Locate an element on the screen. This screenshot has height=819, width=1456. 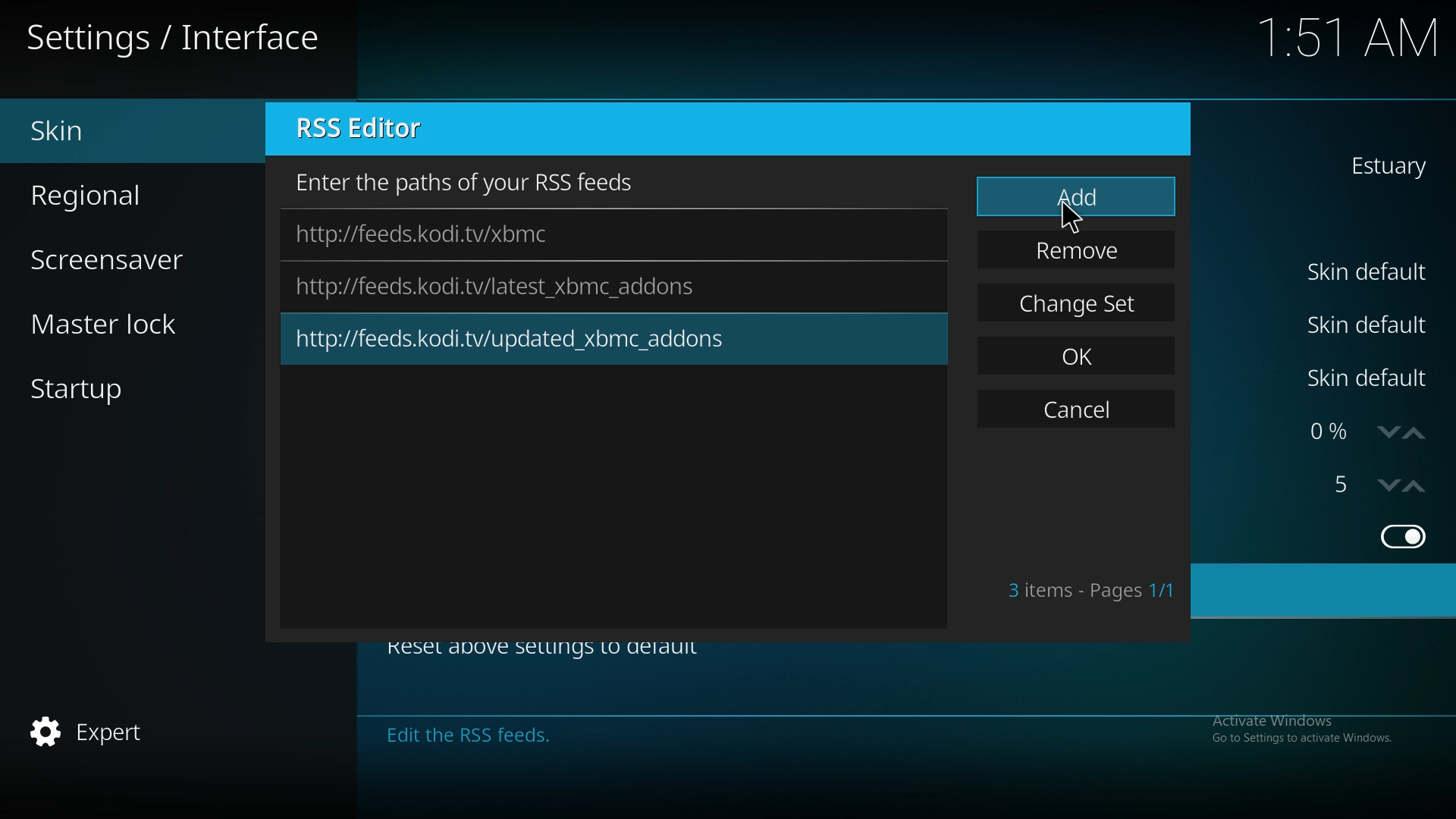
add is located at coordinates (1076, 199).